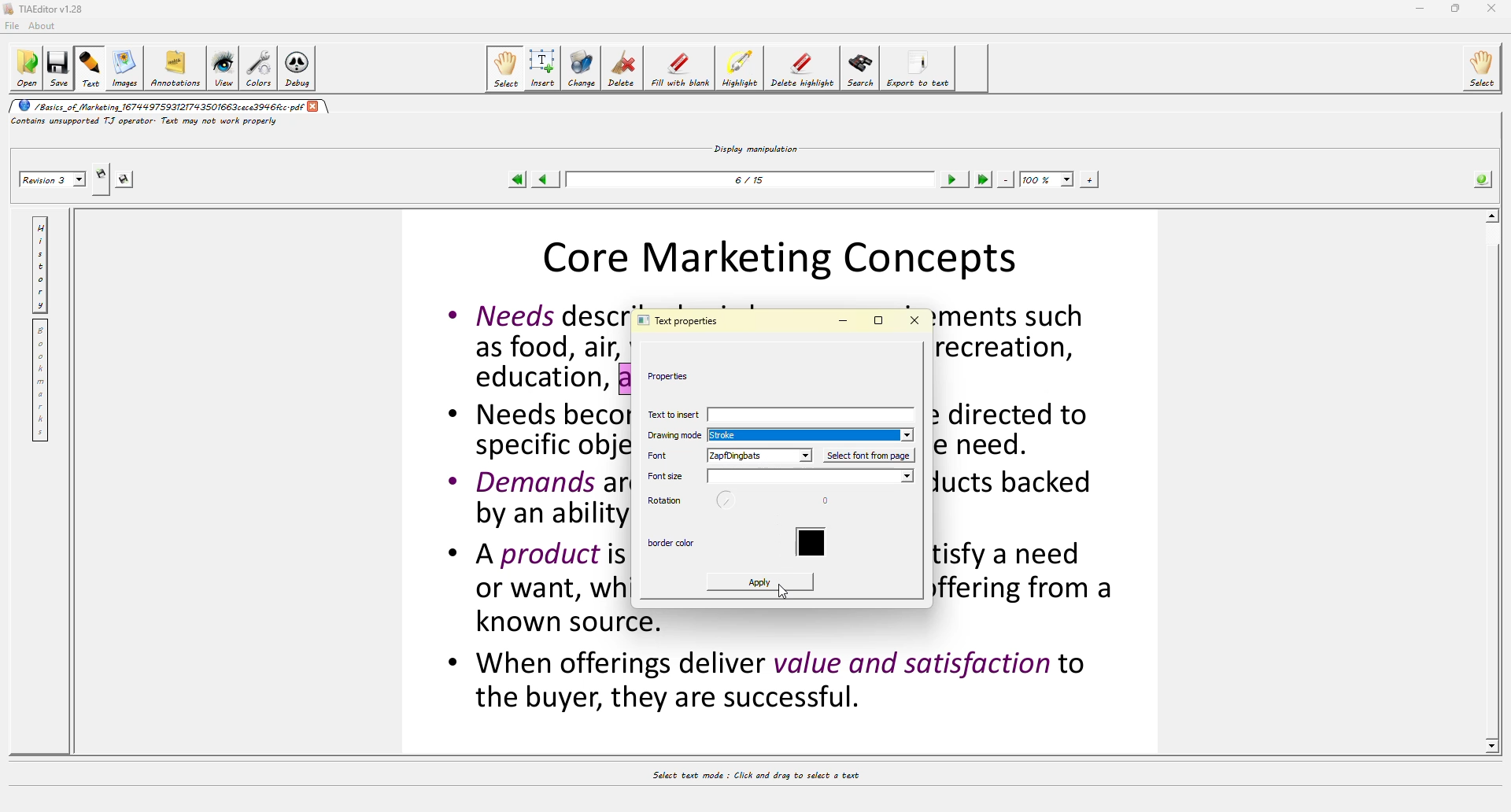  Describe the element at coordinates (54, 180) in the screenshot. I see `revision 2` at that location.